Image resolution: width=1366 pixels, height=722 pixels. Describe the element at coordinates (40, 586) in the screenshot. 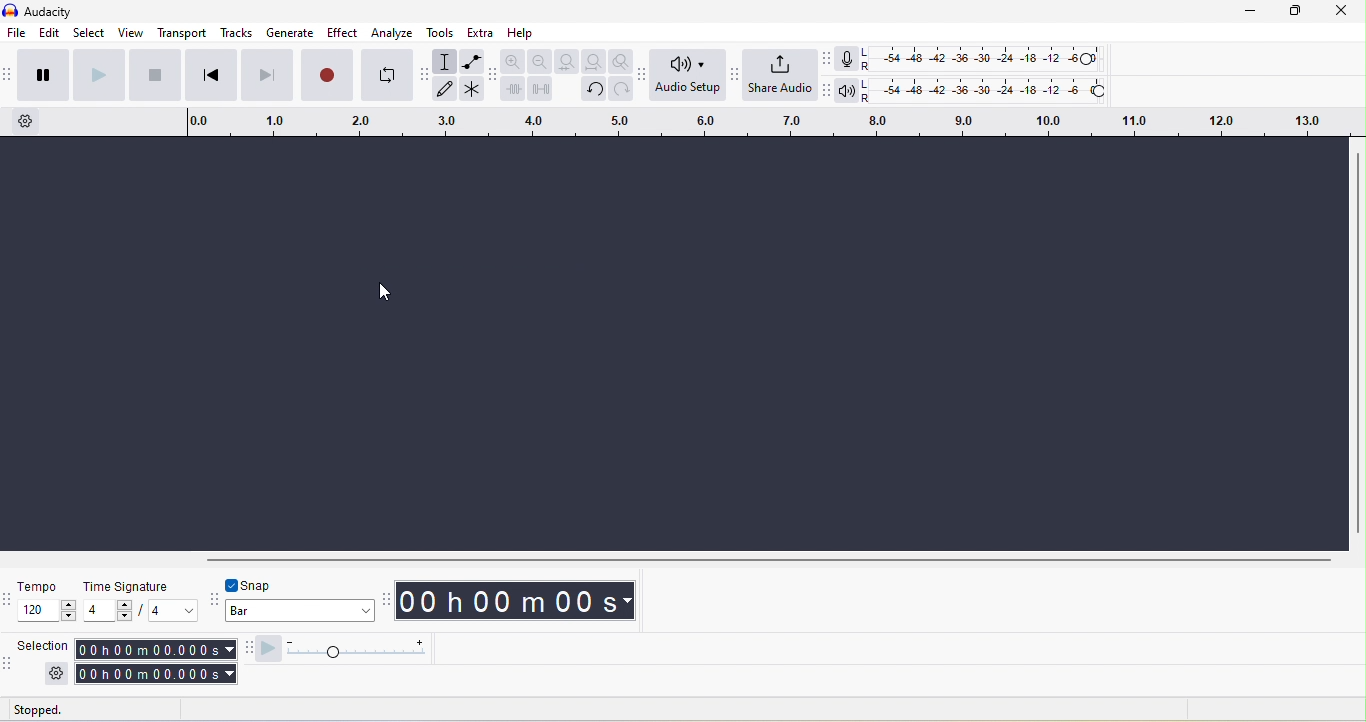

I see `tempo` at that location.